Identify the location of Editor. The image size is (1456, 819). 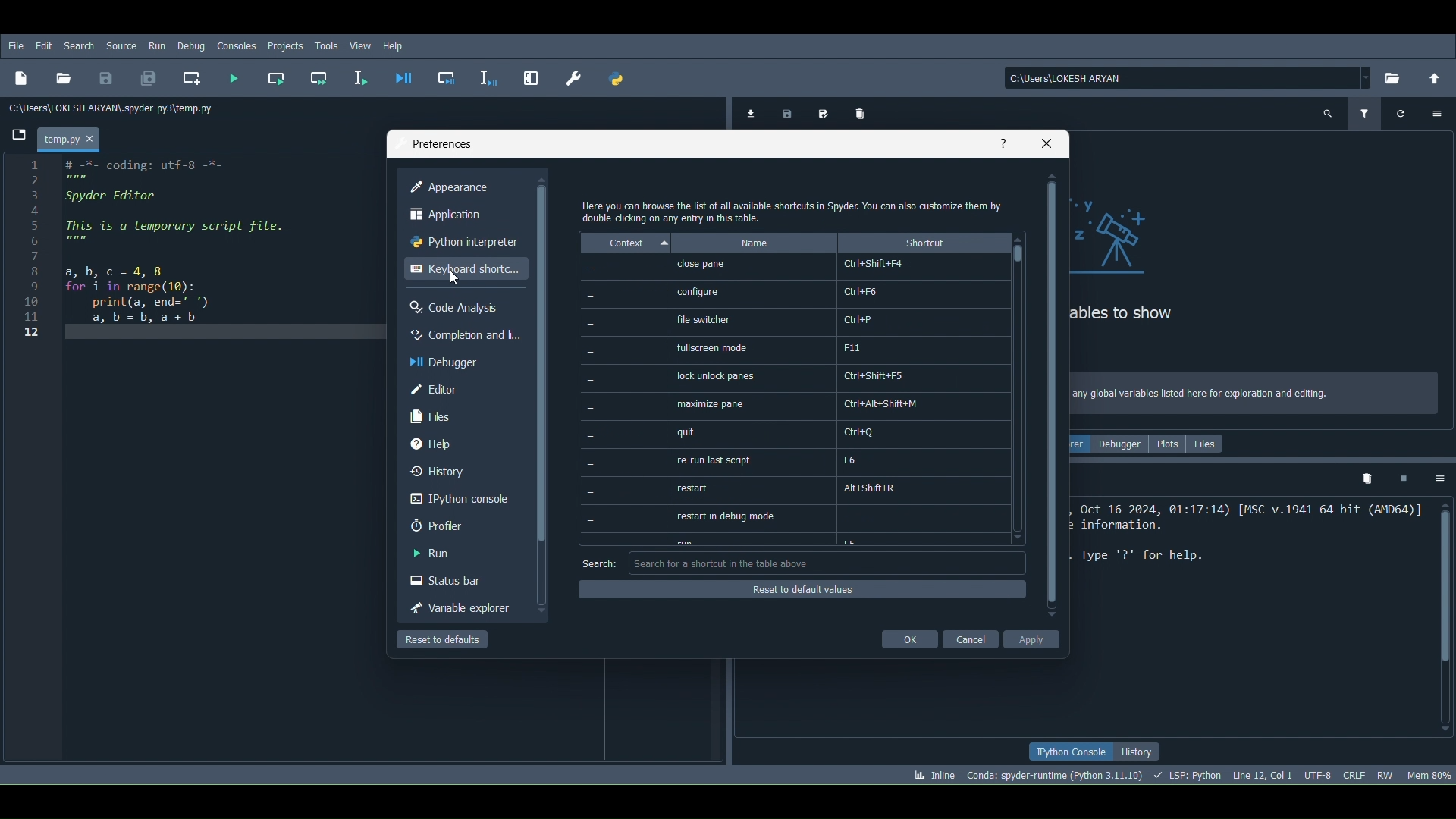
(460, 391).